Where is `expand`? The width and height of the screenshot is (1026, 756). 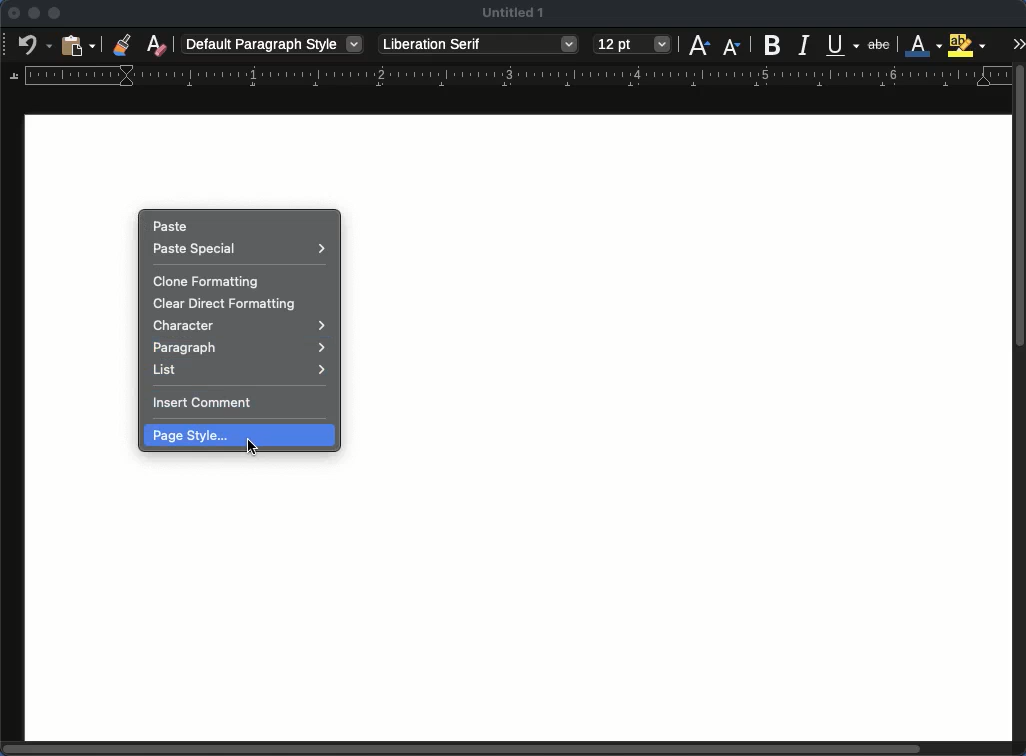
expand is located at coordinates (1018, 45).